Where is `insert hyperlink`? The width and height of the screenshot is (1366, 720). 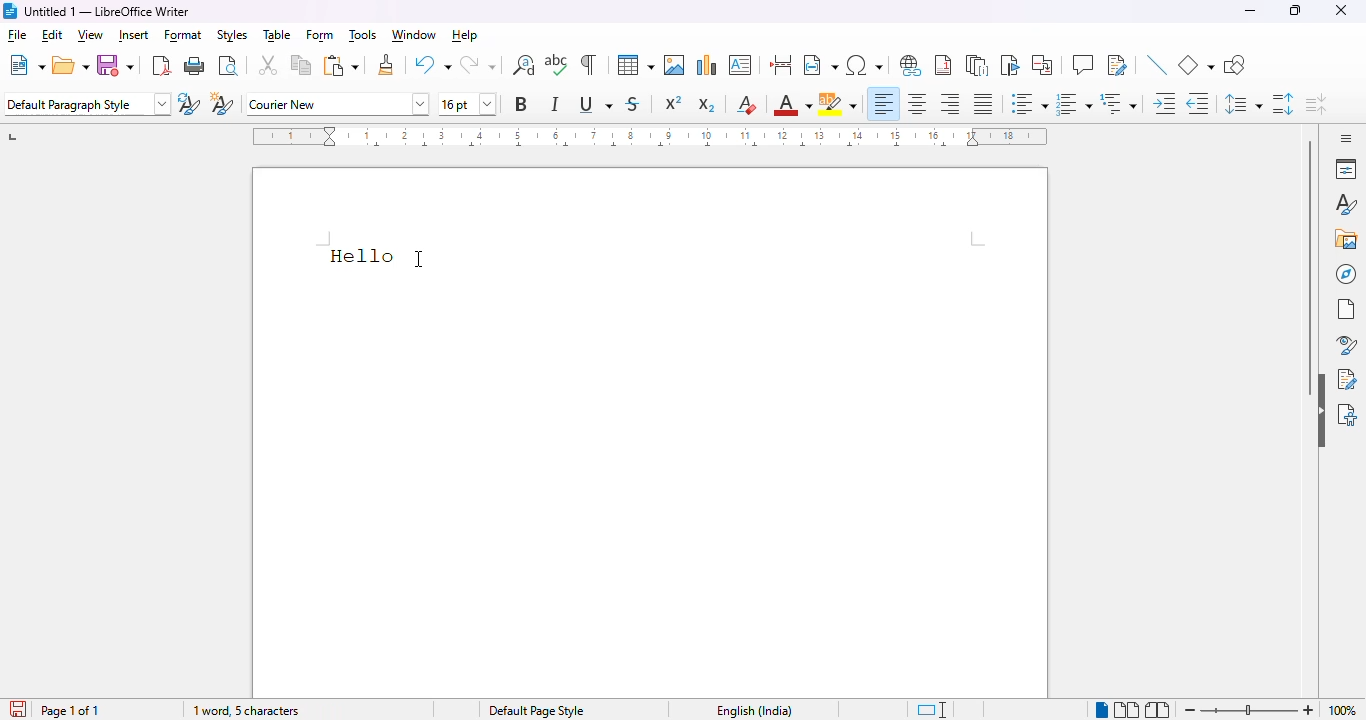 insert hyperlink is located at coordinates (912, 65).